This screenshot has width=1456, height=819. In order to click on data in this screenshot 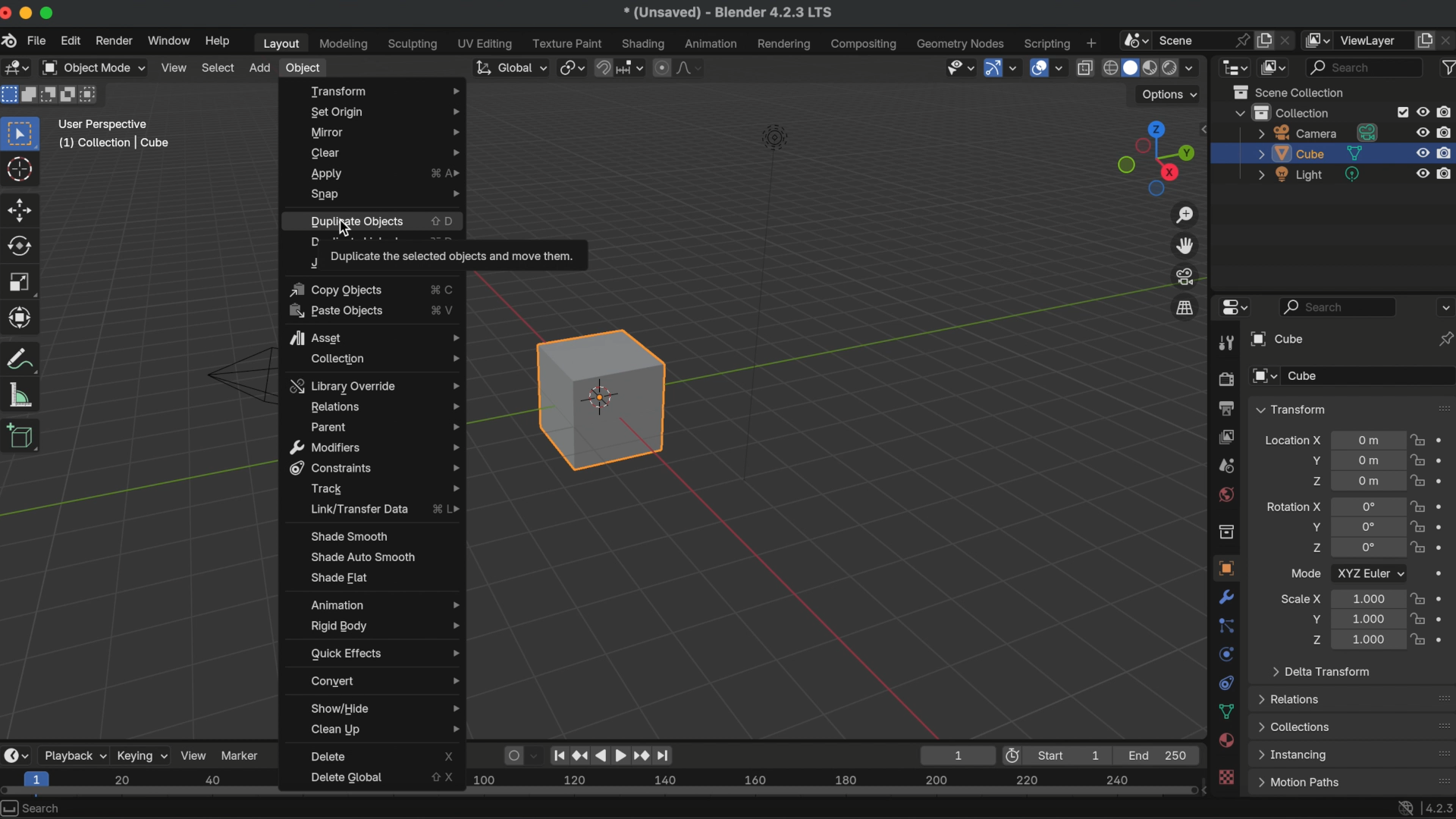, I will do `click(1227, 711)`.